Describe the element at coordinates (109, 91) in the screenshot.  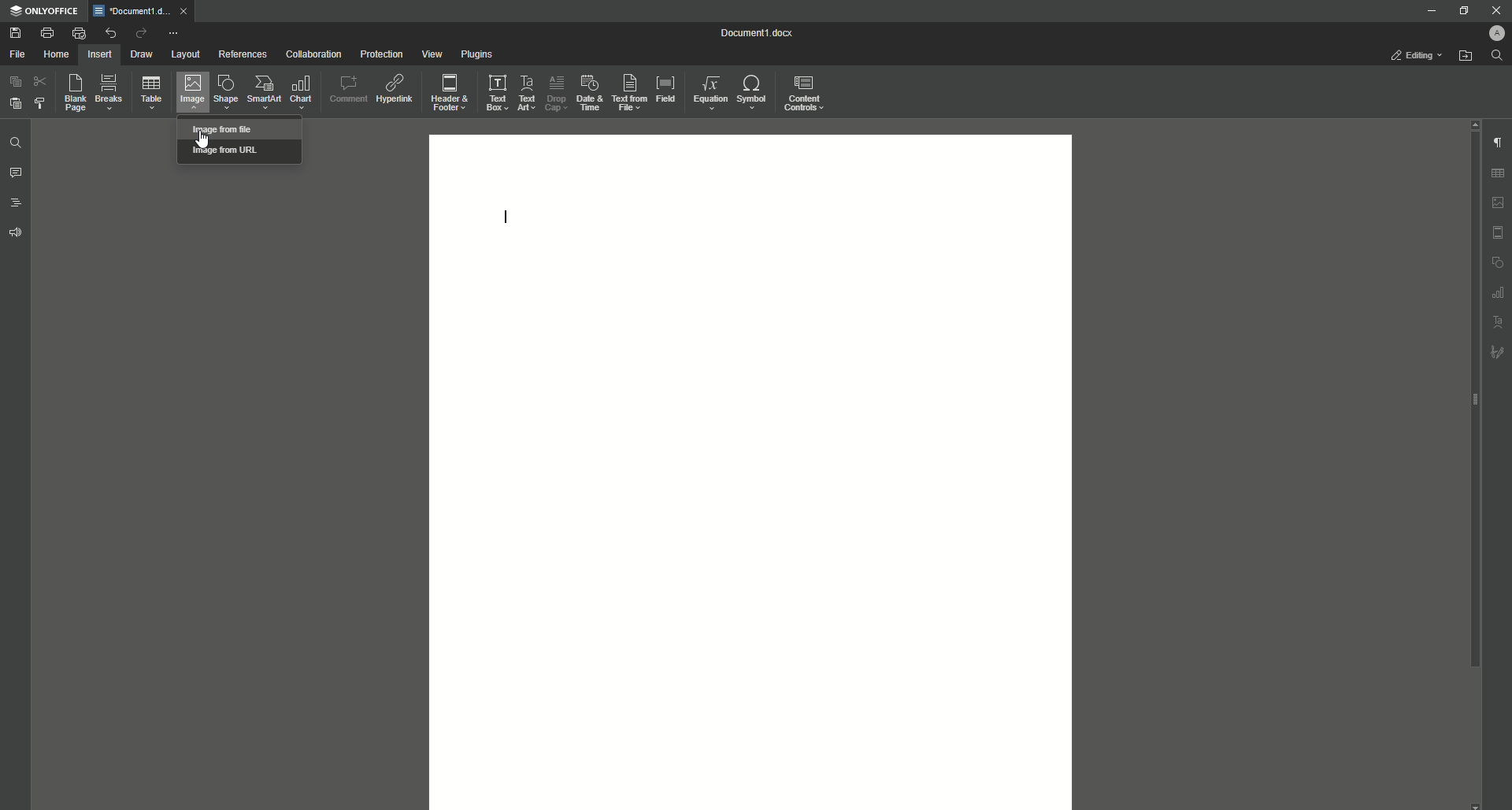
I see `Breaks` at that location.